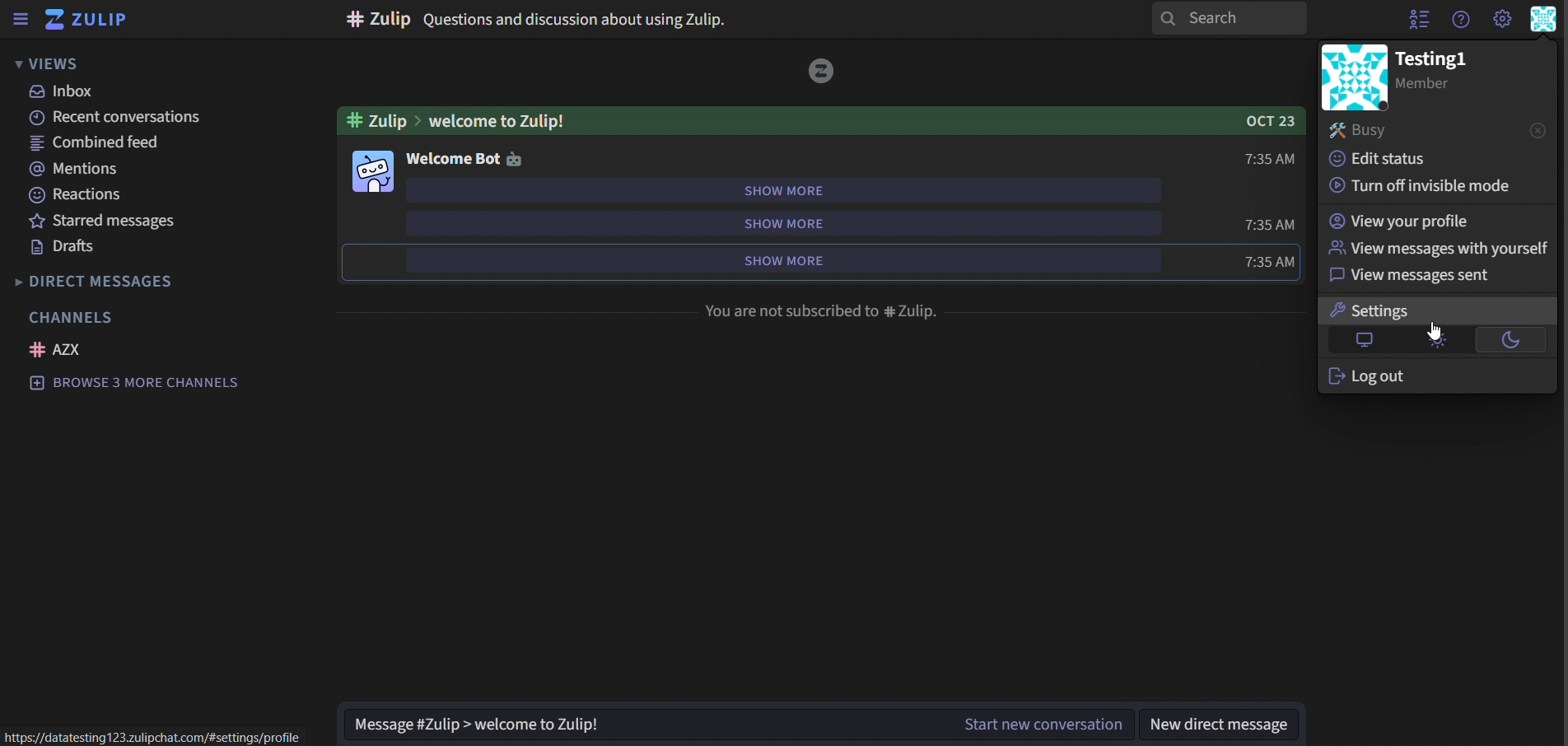  Describe the element at coordinates (1219, 724) in the screenshot. I see `new direct message` at that location.